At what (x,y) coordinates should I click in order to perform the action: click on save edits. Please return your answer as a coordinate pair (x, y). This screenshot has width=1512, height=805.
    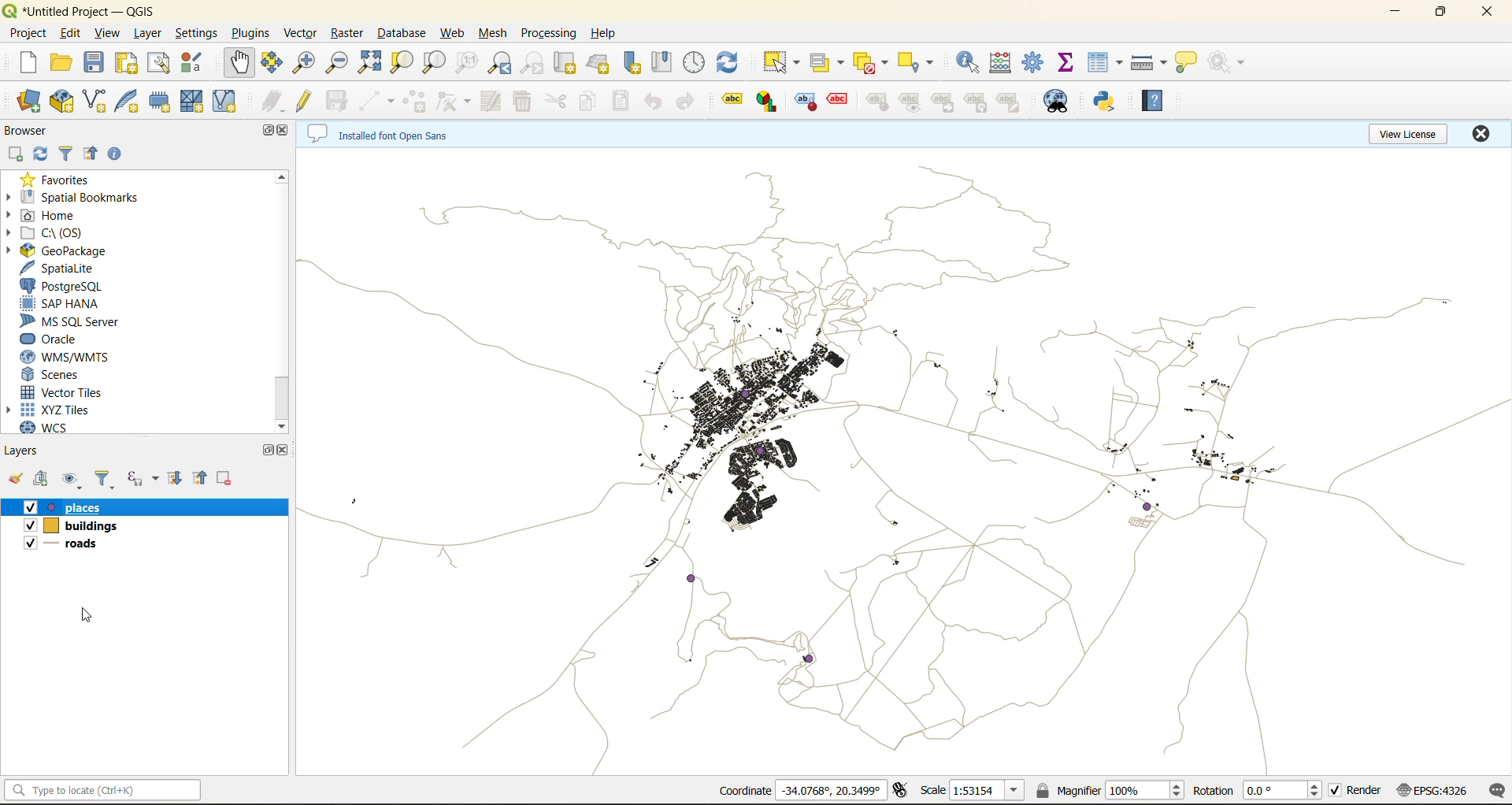
    Looking at the image, I should click on (339, 102).